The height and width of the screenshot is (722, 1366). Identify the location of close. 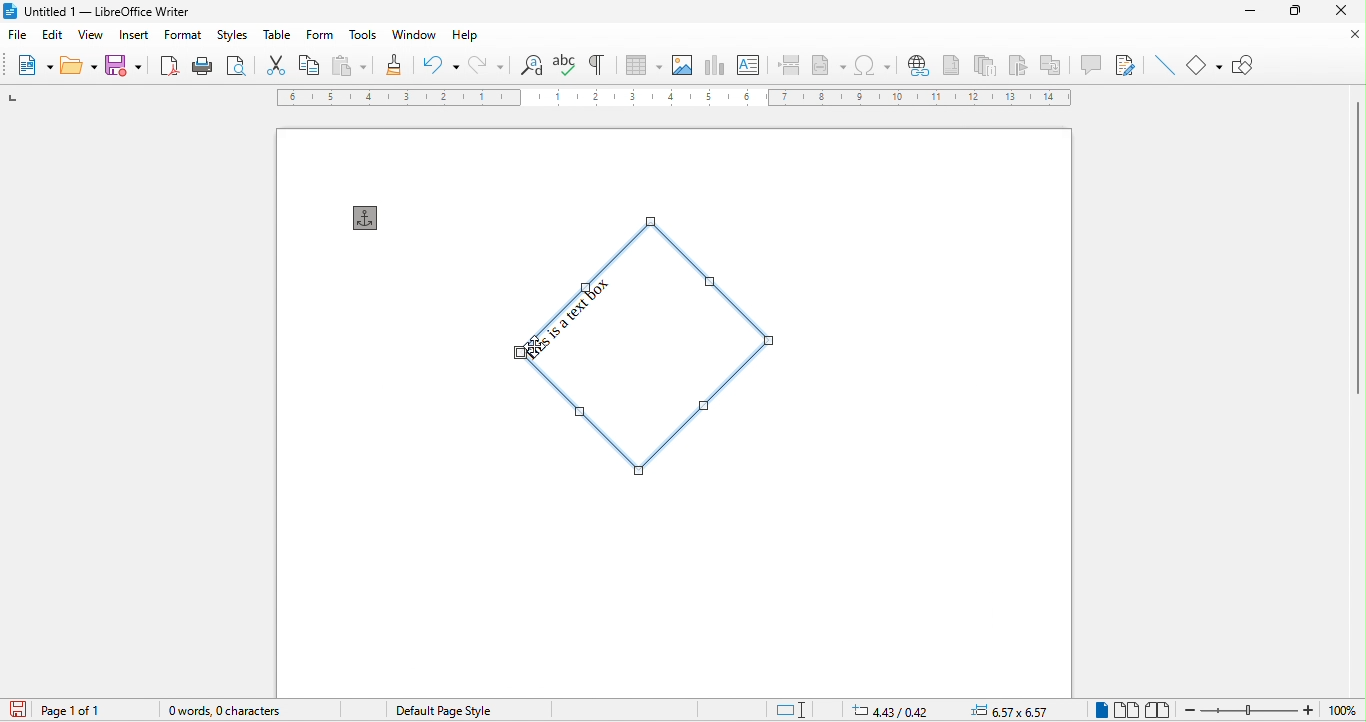
(1343, 11).